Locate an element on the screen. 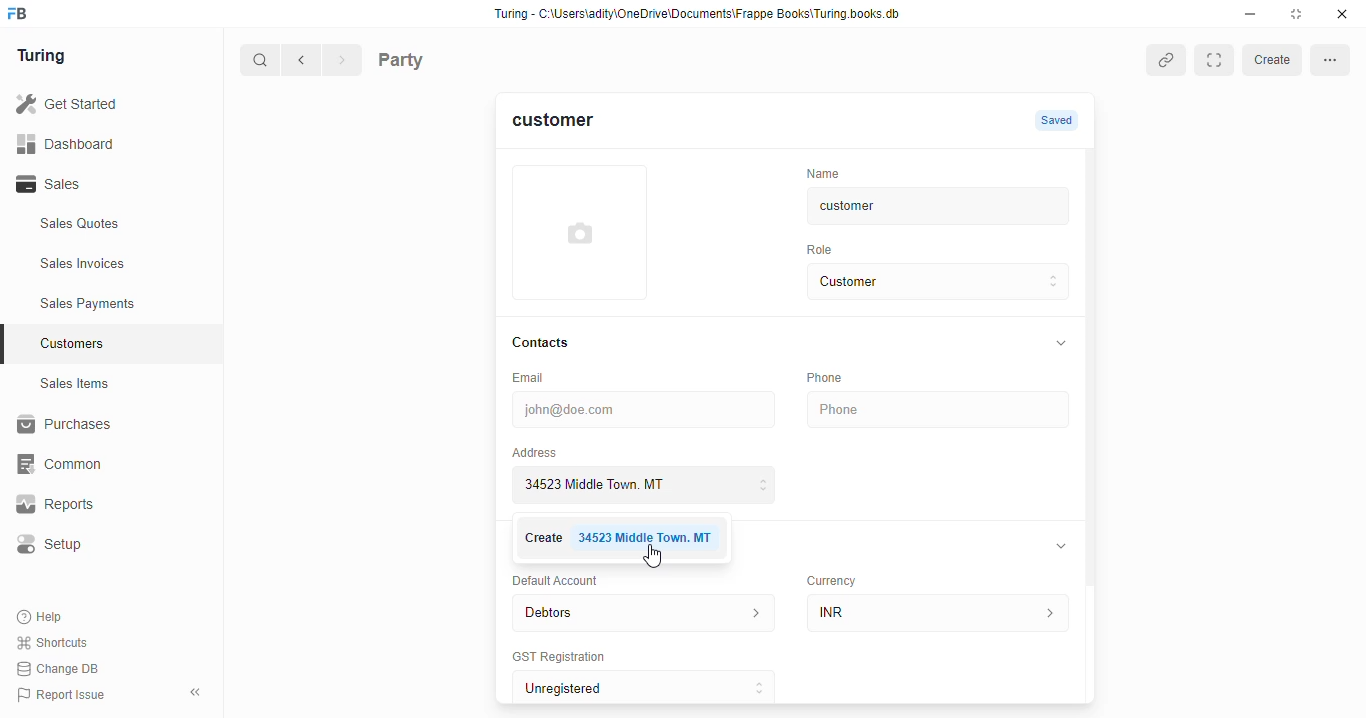 This screenshot has width=1366, height=718. ‘Name is located at coordinates (821, 172).